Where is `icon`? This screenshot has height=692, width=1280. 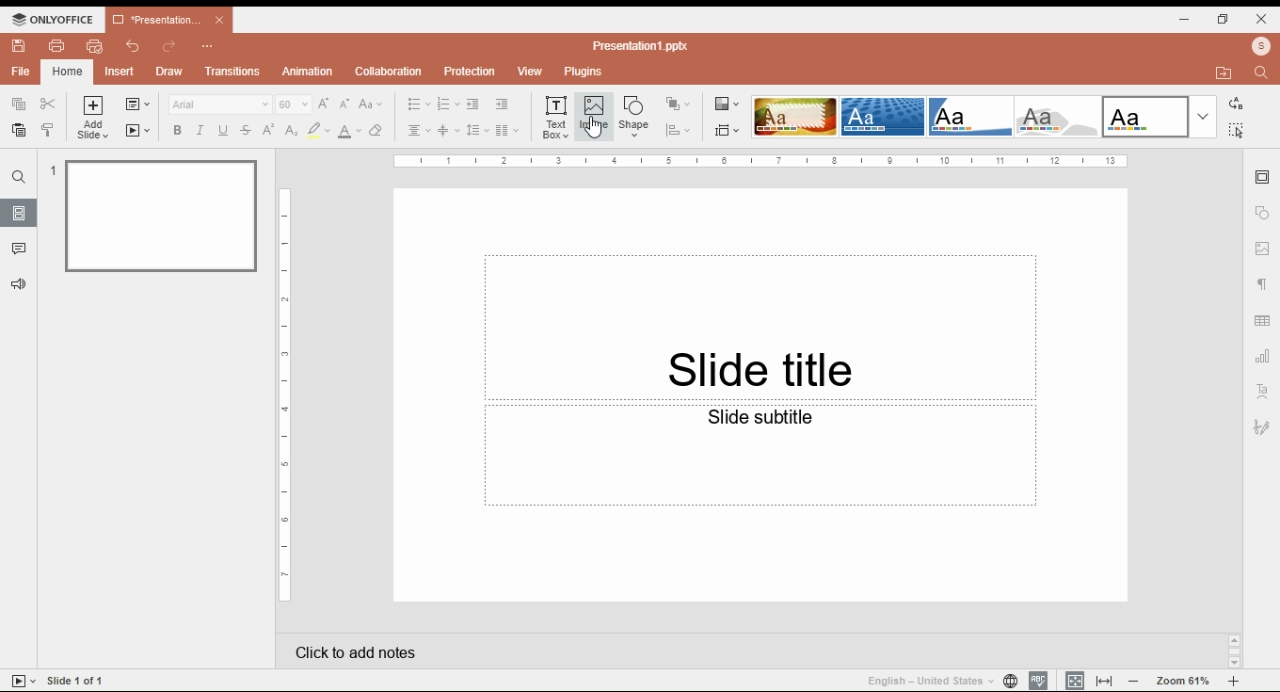 icon is located at coordinates (54, 18).